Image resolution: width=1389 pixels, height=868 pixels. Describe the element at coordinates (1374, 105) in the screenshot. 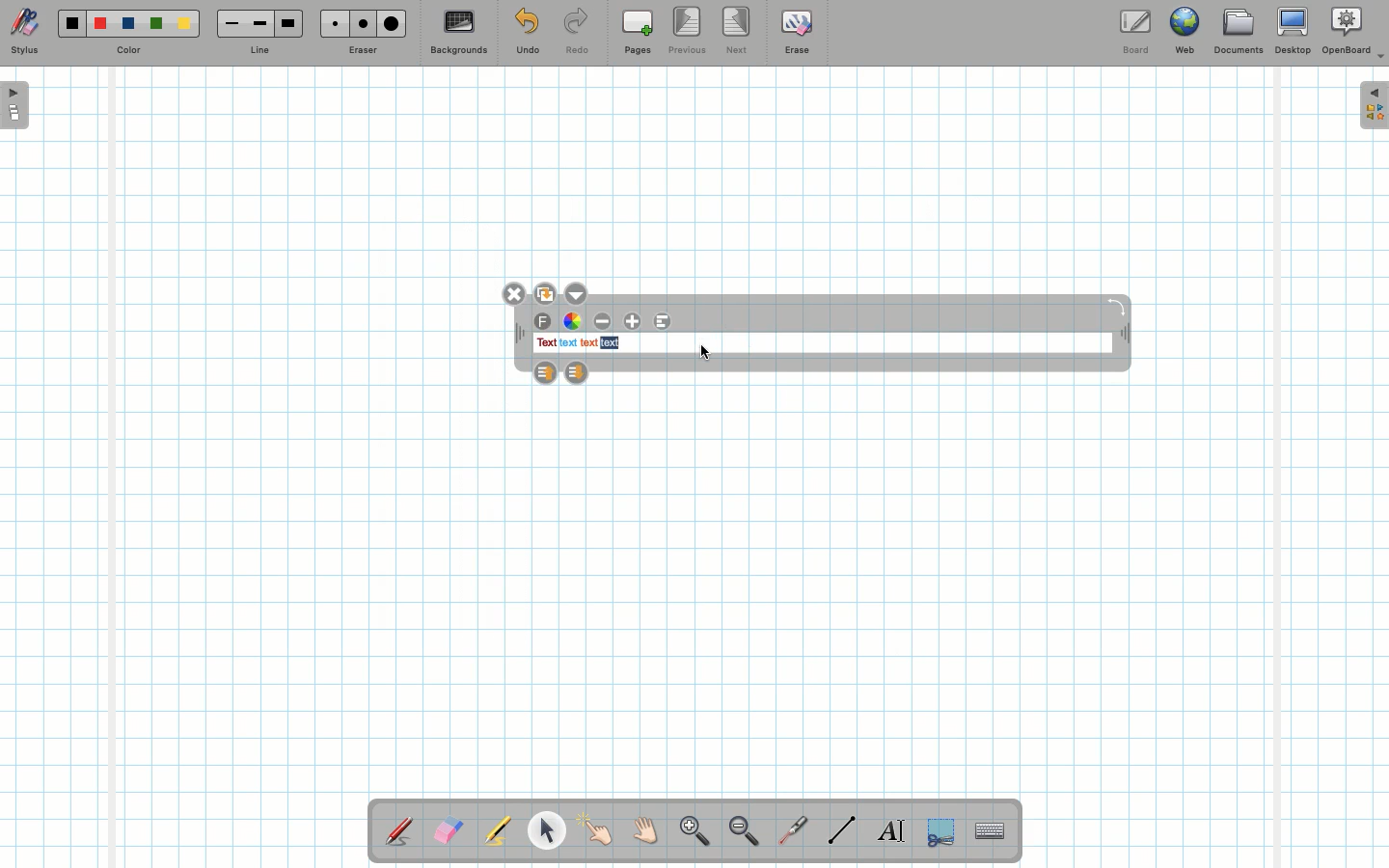

I see `Expand` at that location.